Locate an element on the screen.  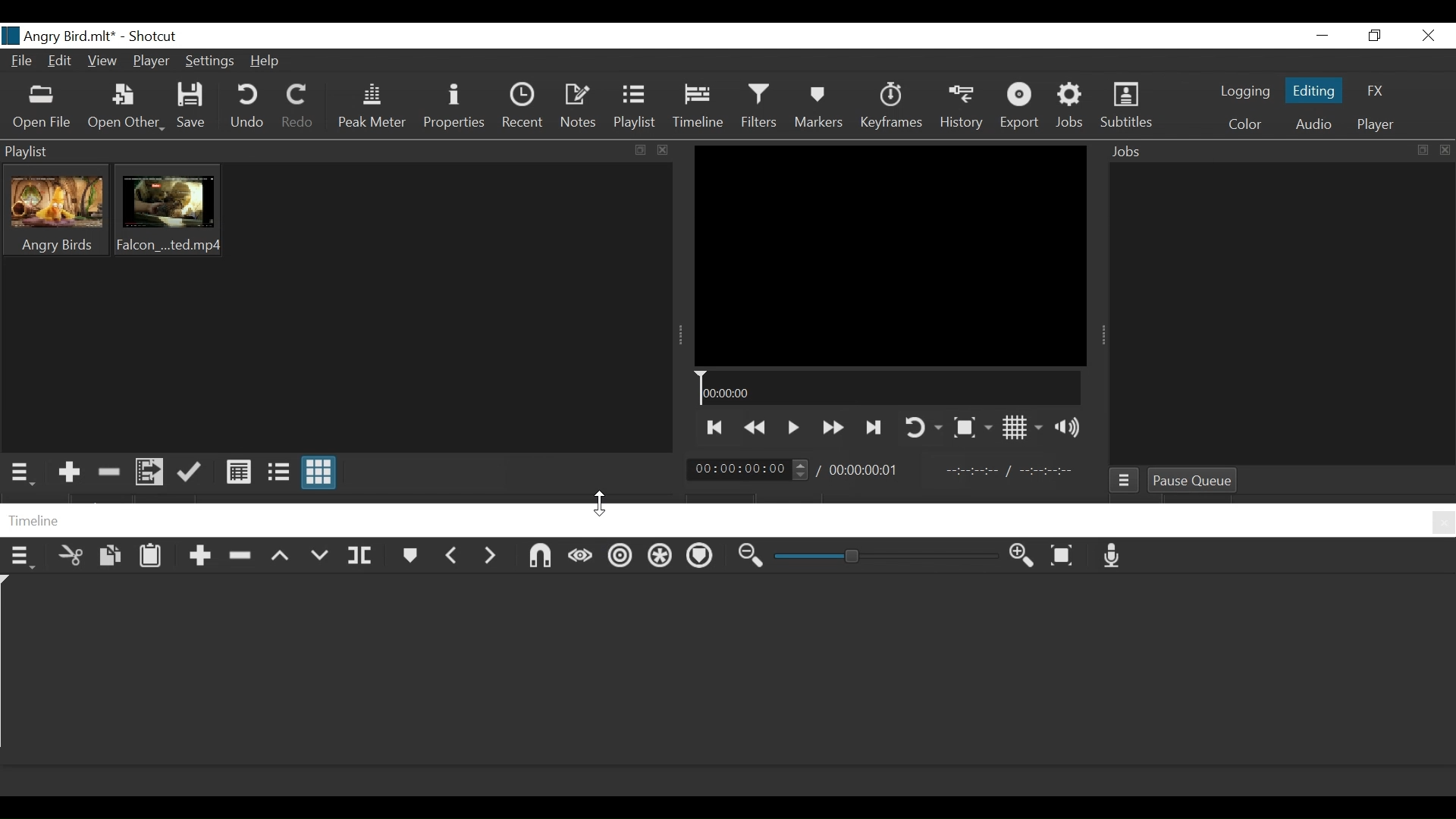
Zoom timeline in is located at coordinates (748, 558).